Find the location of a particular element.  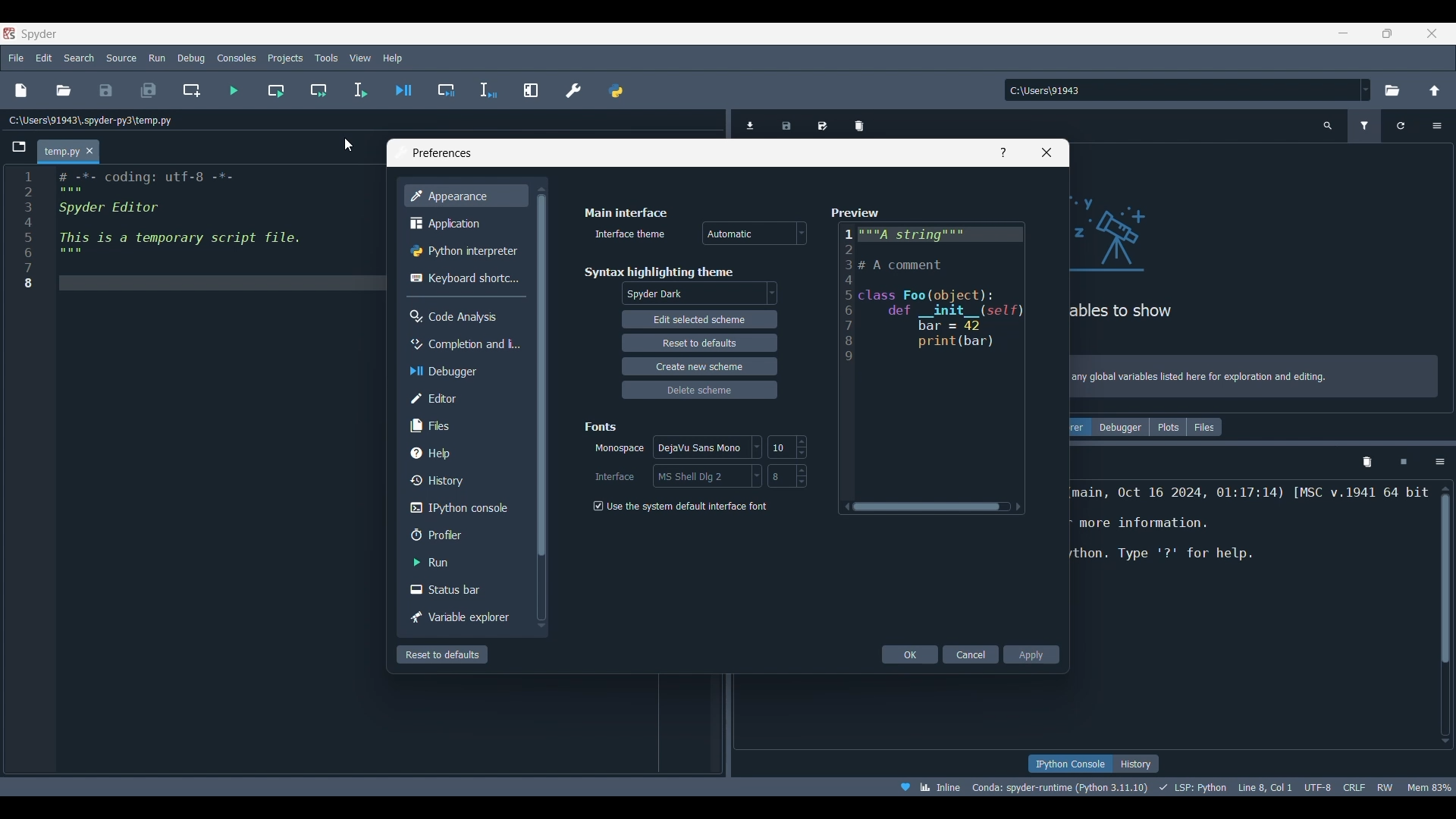

LSP: Python is located at coordinates (1190, 788).